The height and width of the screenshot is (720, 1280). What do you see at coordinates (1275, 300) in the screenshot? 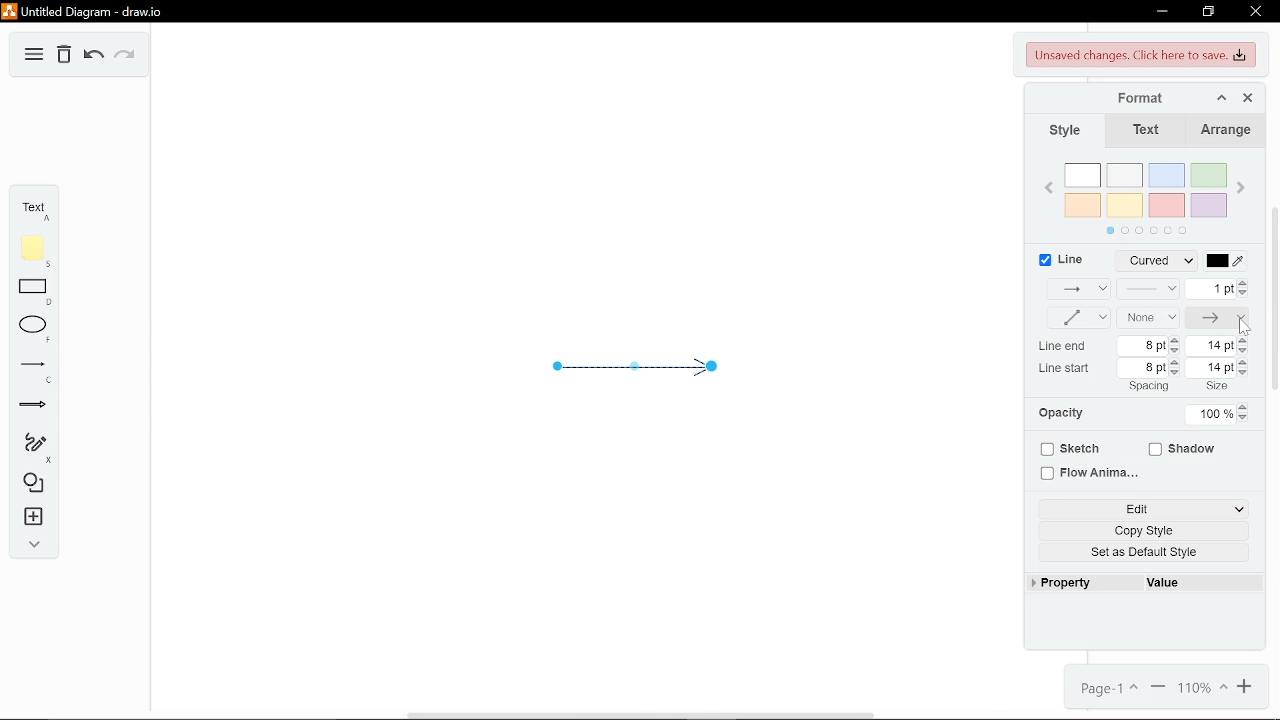
I see `scroll bar` at bounding box center [1275, 300].